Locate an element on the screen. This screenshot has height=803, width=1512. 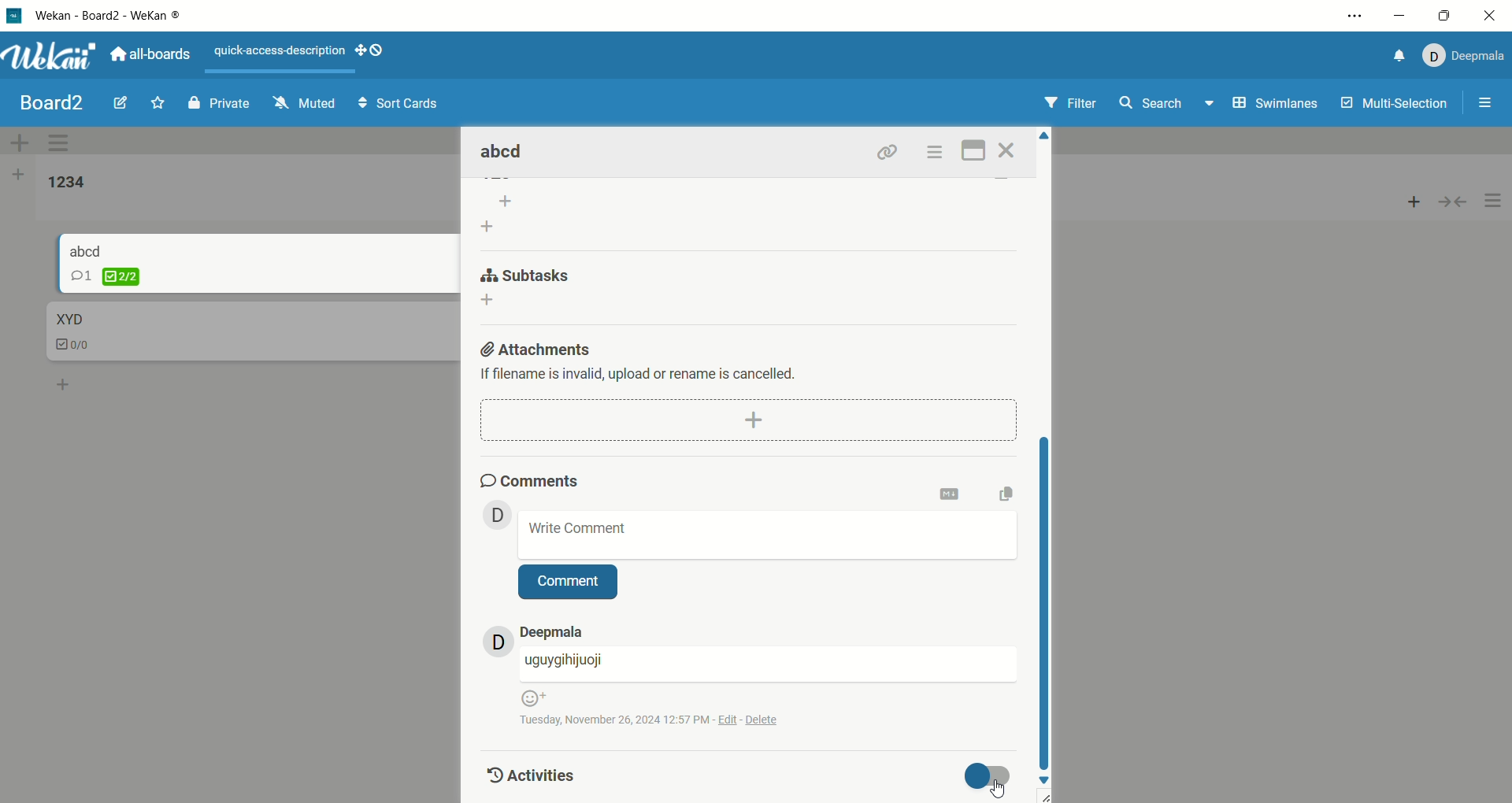
sort cards is located at coordinates (398, 105).